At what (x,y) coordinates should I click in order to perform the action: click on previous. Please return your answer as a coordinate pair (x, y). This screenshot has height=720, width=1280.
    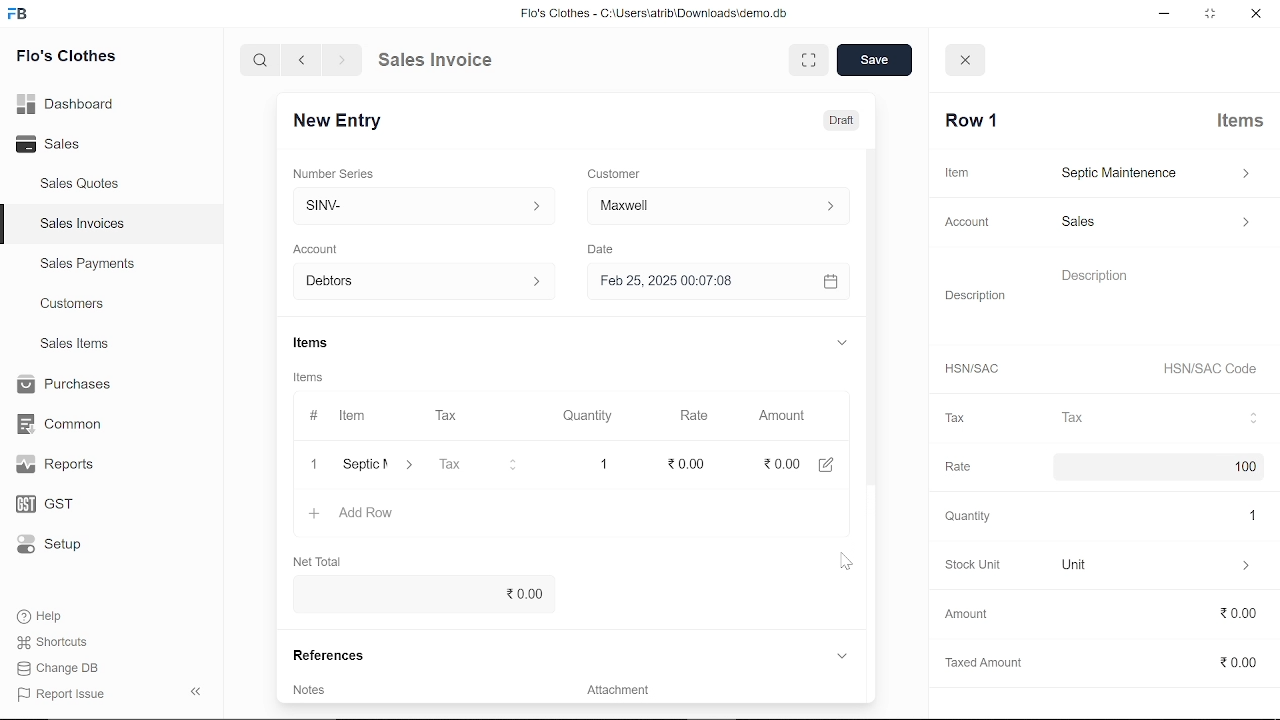
    Looking at the image, I should click on (303, 60).